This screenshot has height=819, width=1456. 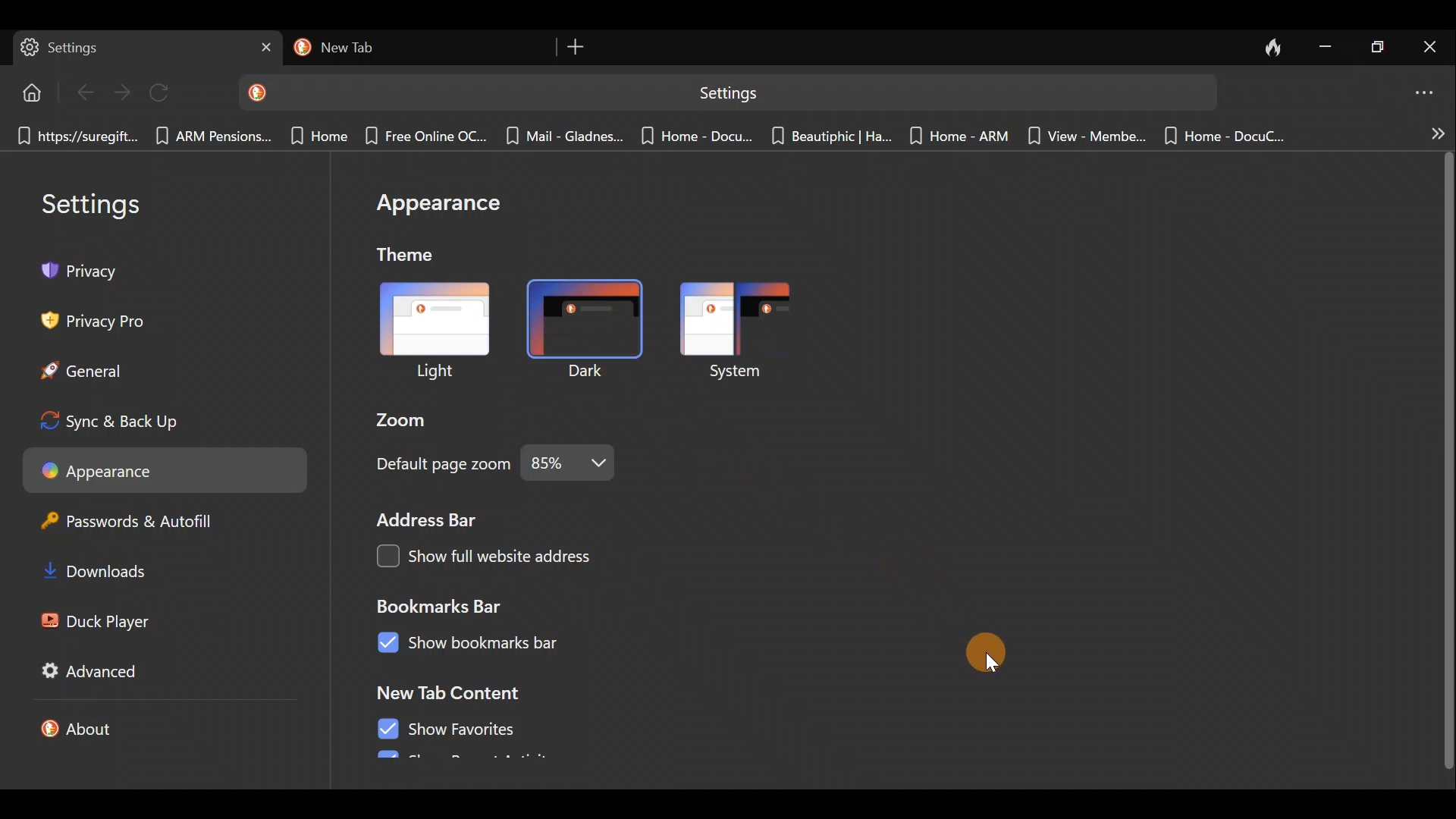 What do you see at coordinates (767, 93) in the screenshot?
I see `Search bar` at bounding box center [767, 93].